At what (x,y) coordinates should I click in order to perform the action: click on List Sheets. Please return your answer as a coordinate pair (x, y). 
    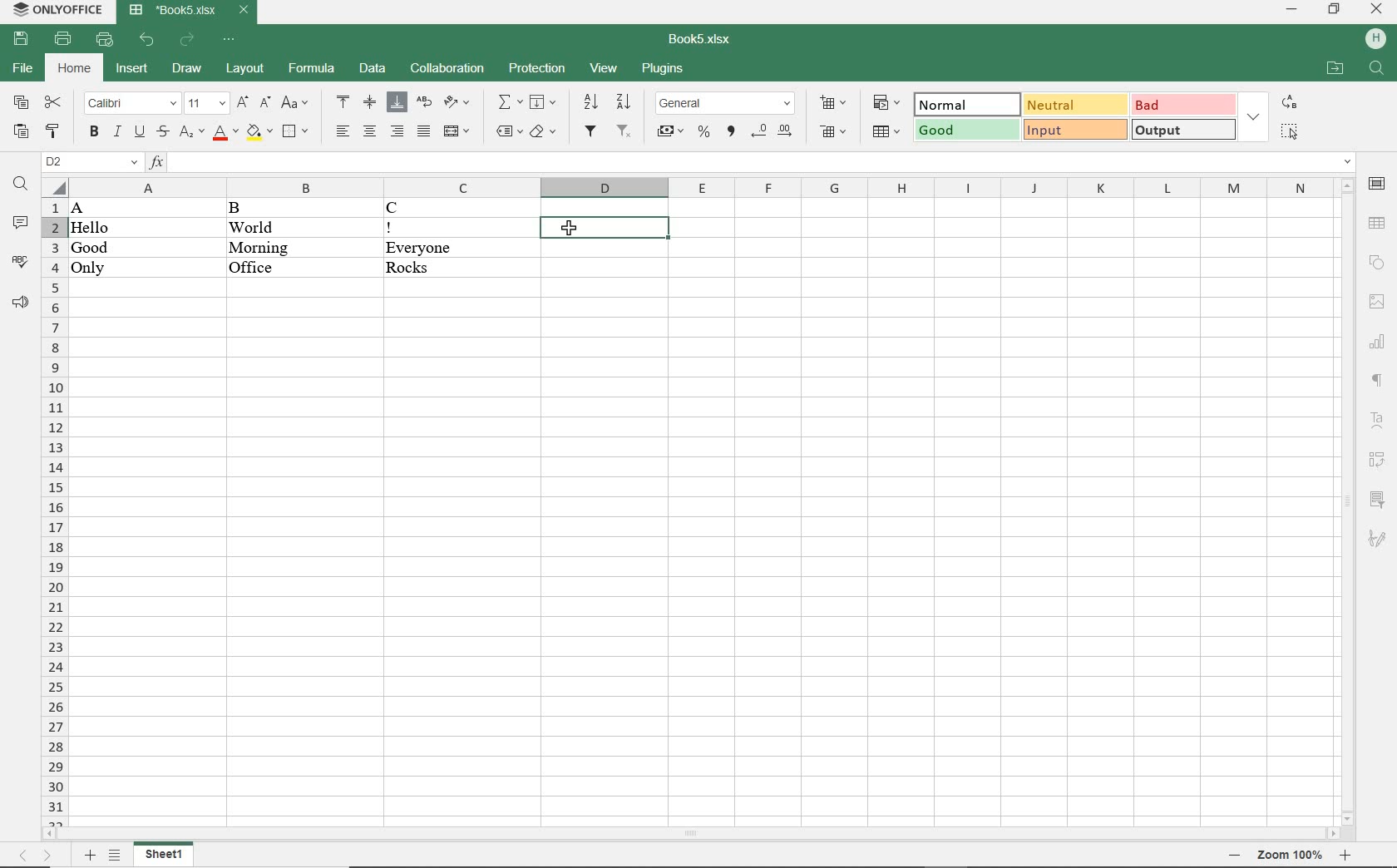
    Looking at the image, I should click on (116, 853).